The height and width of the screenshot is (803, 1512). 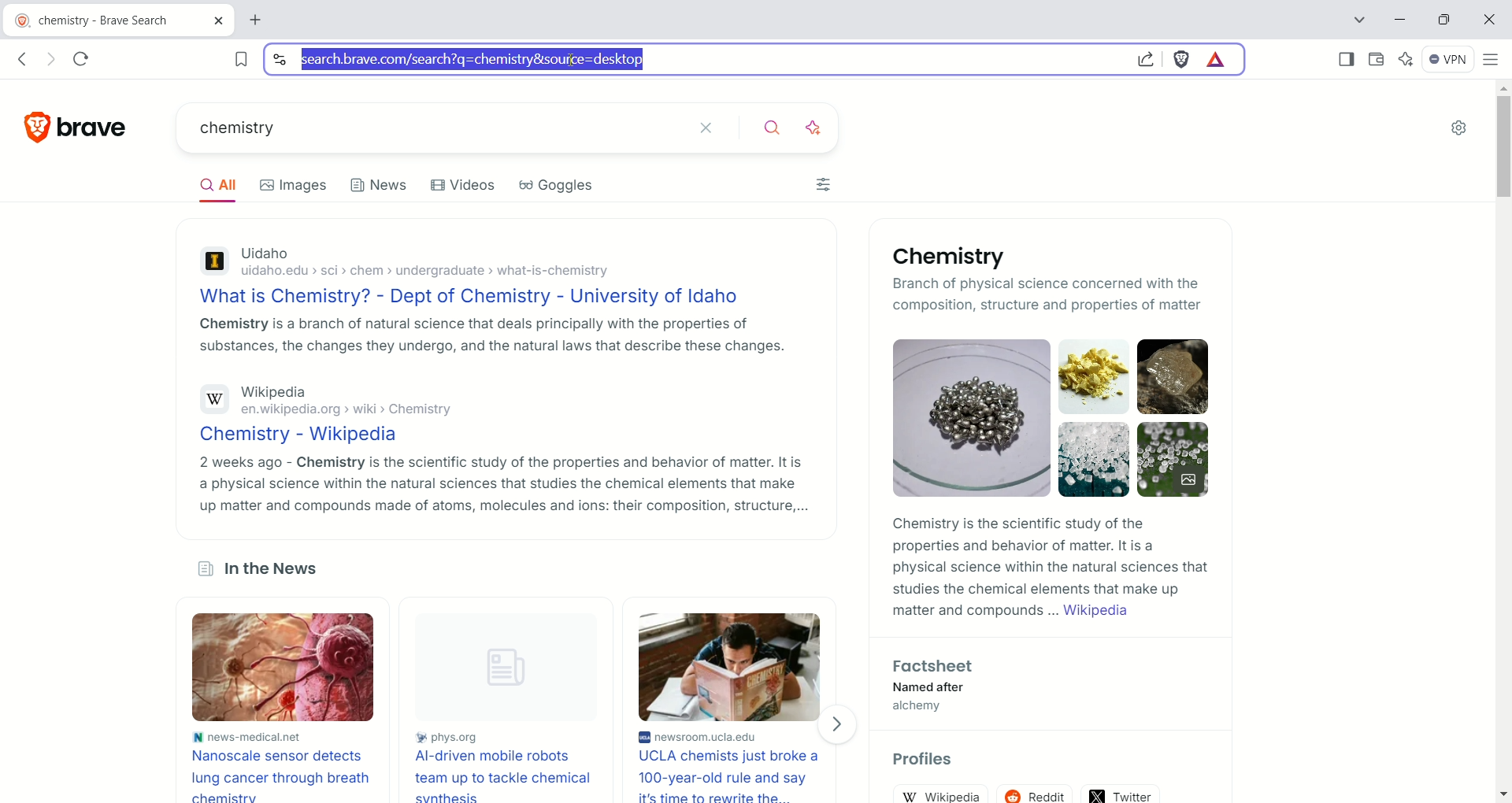 I want to click on Brave schields, so click(x=1183, y=61).